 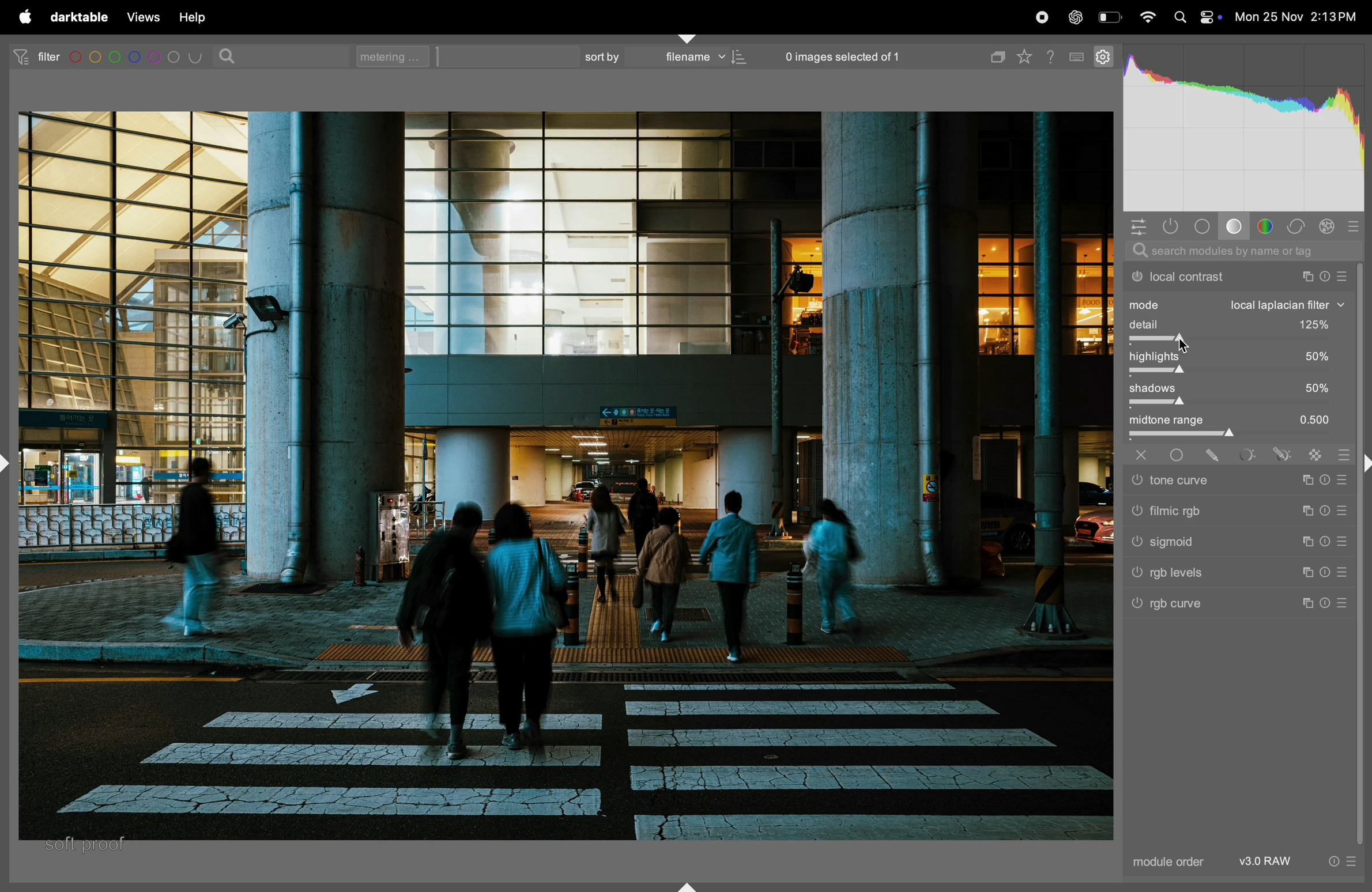 I want to click on metering, so click(x=397, y=56).